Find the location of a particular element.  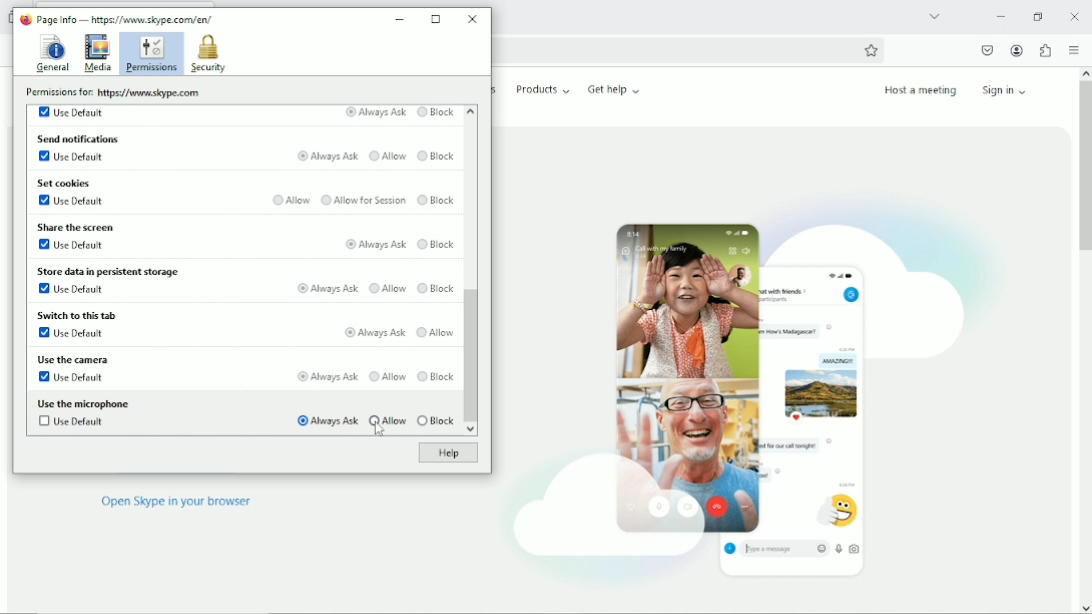

Get help is located at coordinates (614, 89).